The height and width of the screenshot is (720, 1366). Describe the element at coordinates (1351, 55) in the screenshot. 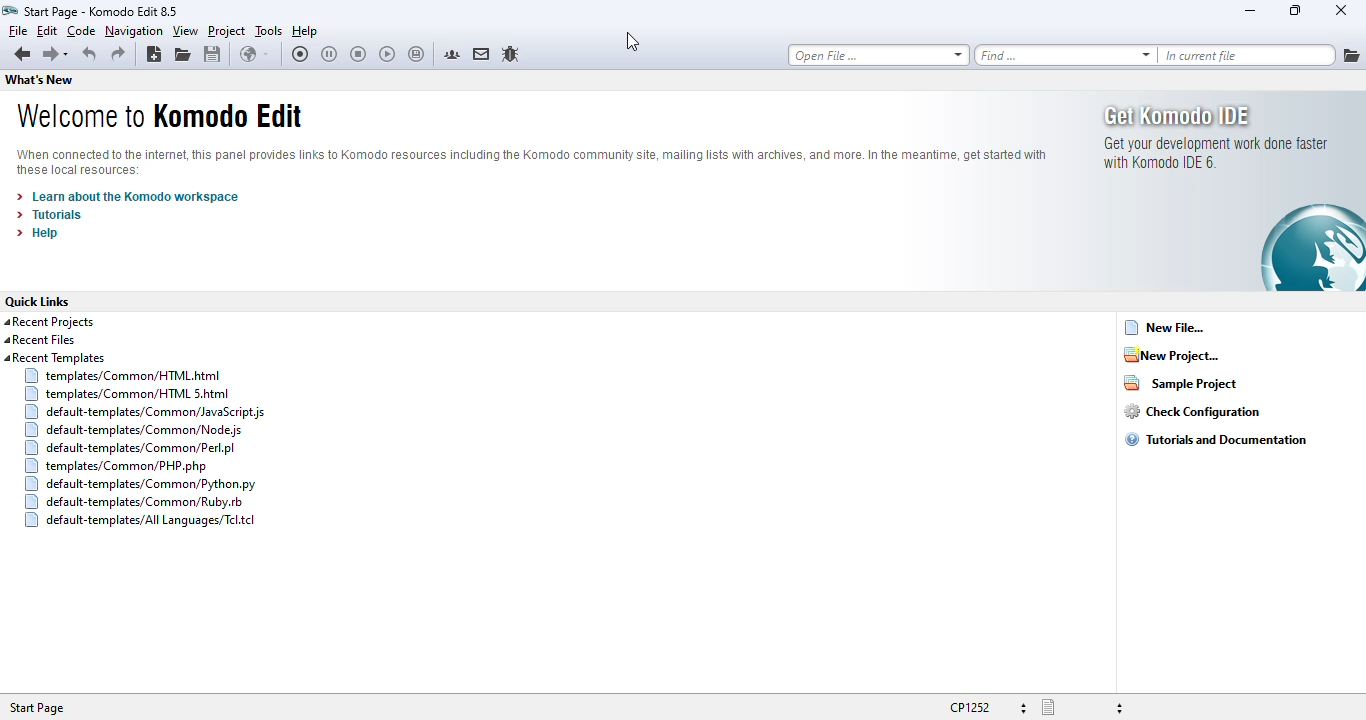

I see `browse for directories to add to search list` at that location.